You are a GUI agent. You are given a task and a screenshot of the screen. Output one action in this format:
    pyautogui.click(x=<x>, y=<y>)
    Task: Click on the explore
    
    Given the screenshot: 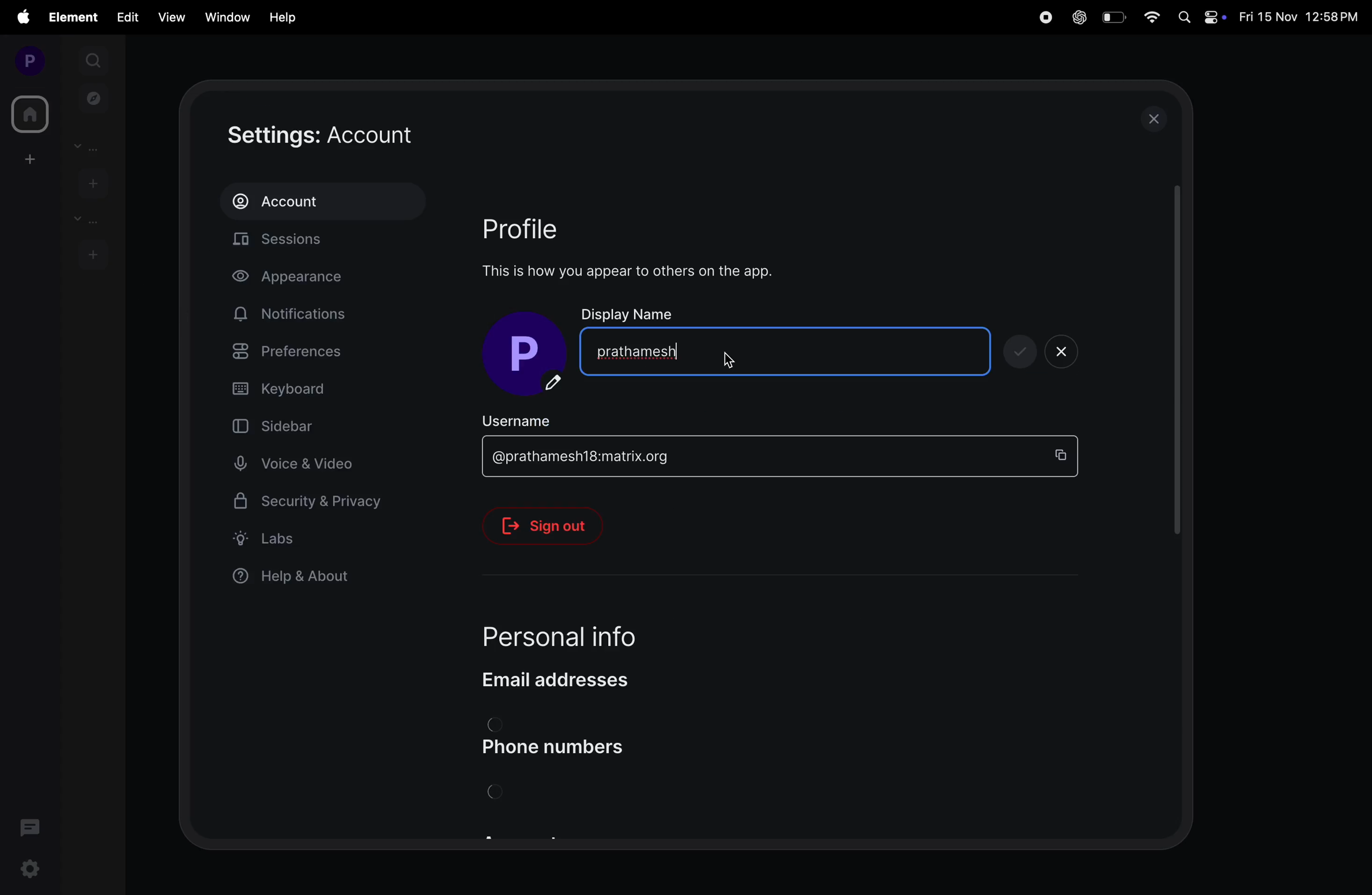 What is the action you would take?
    pyautogui.click(x=94, y=97)
    